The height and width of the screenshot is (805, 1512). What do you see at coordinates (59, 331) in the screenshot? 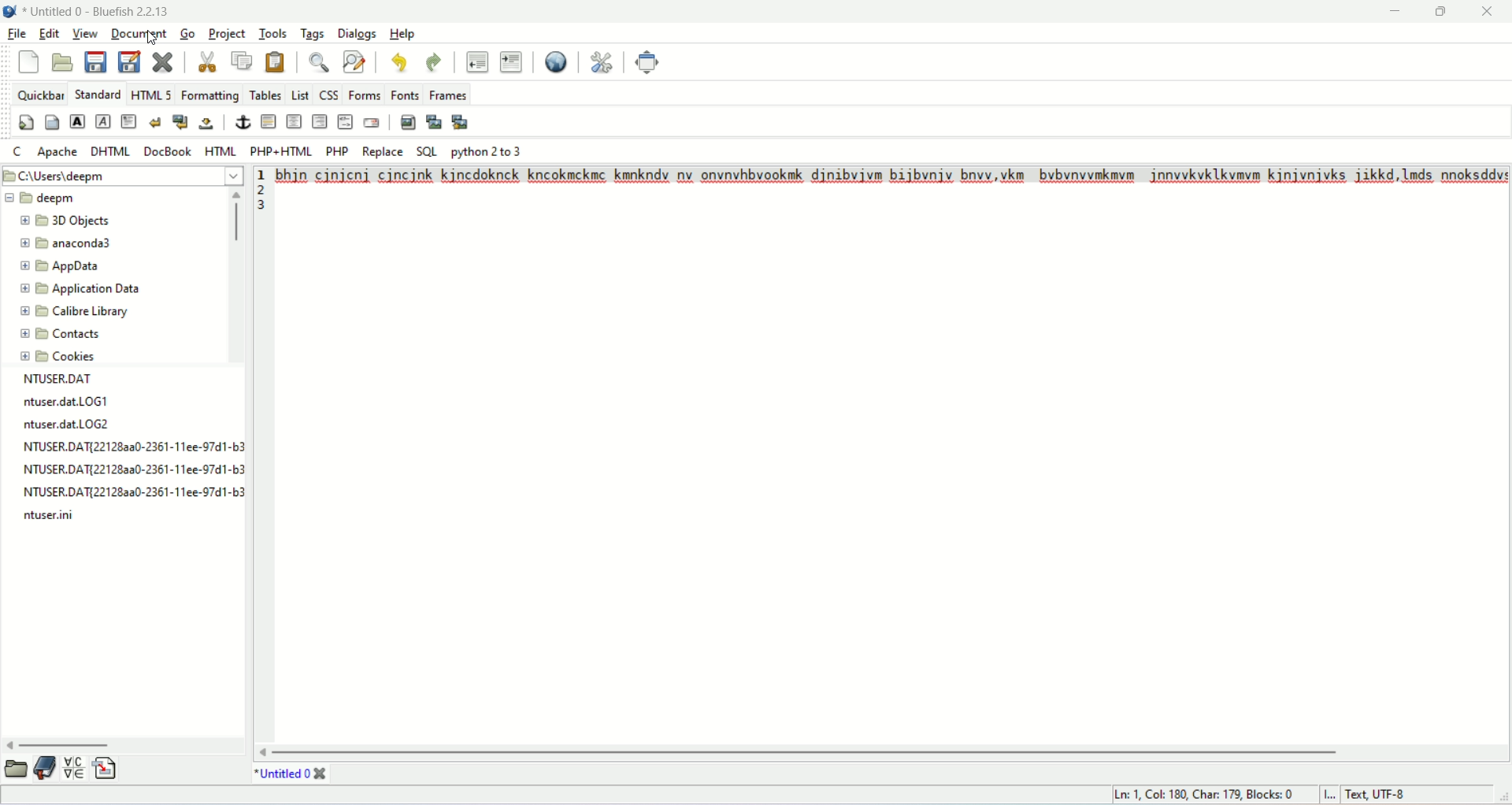
I see `contacts` at bounding box center [59, 331].